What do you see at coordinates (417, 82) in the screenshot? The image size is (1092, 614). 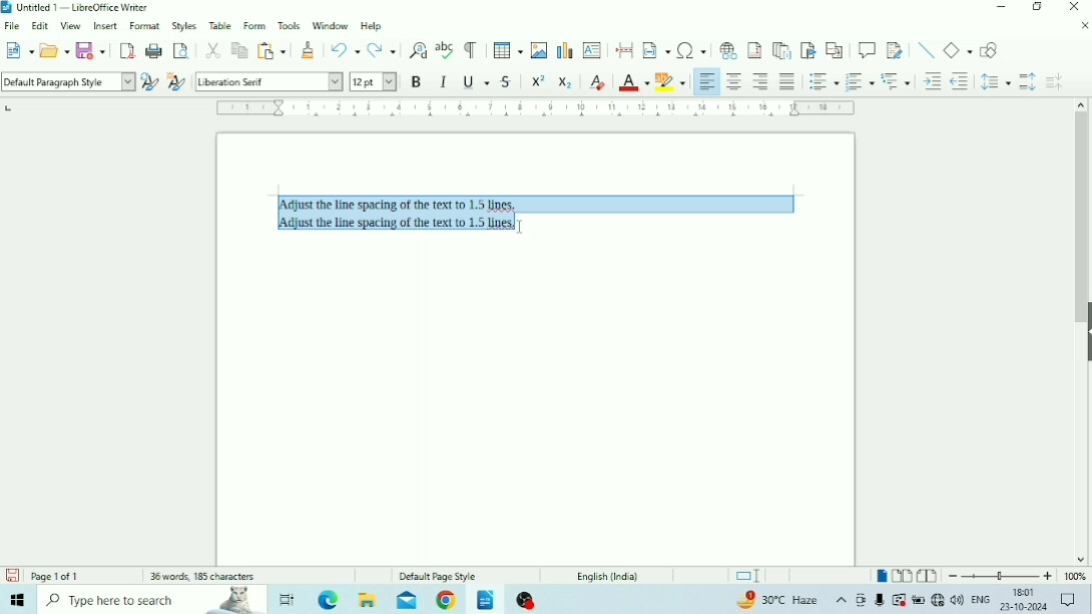 I see `Bold` at bounding box center [417, 82].